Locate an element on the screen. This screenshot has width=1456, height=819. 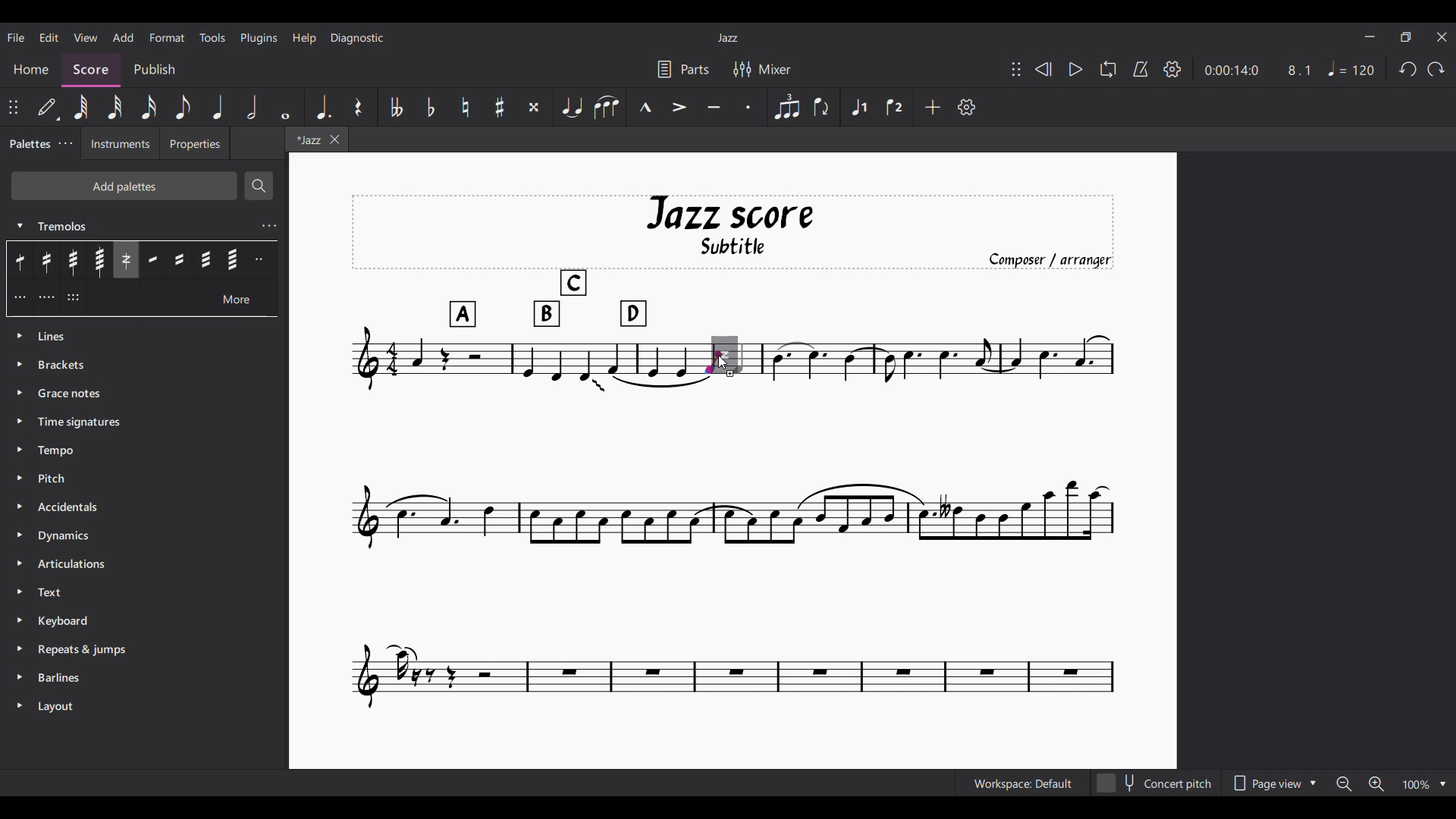
Augmentation dot is located at coordinates (322, 107).